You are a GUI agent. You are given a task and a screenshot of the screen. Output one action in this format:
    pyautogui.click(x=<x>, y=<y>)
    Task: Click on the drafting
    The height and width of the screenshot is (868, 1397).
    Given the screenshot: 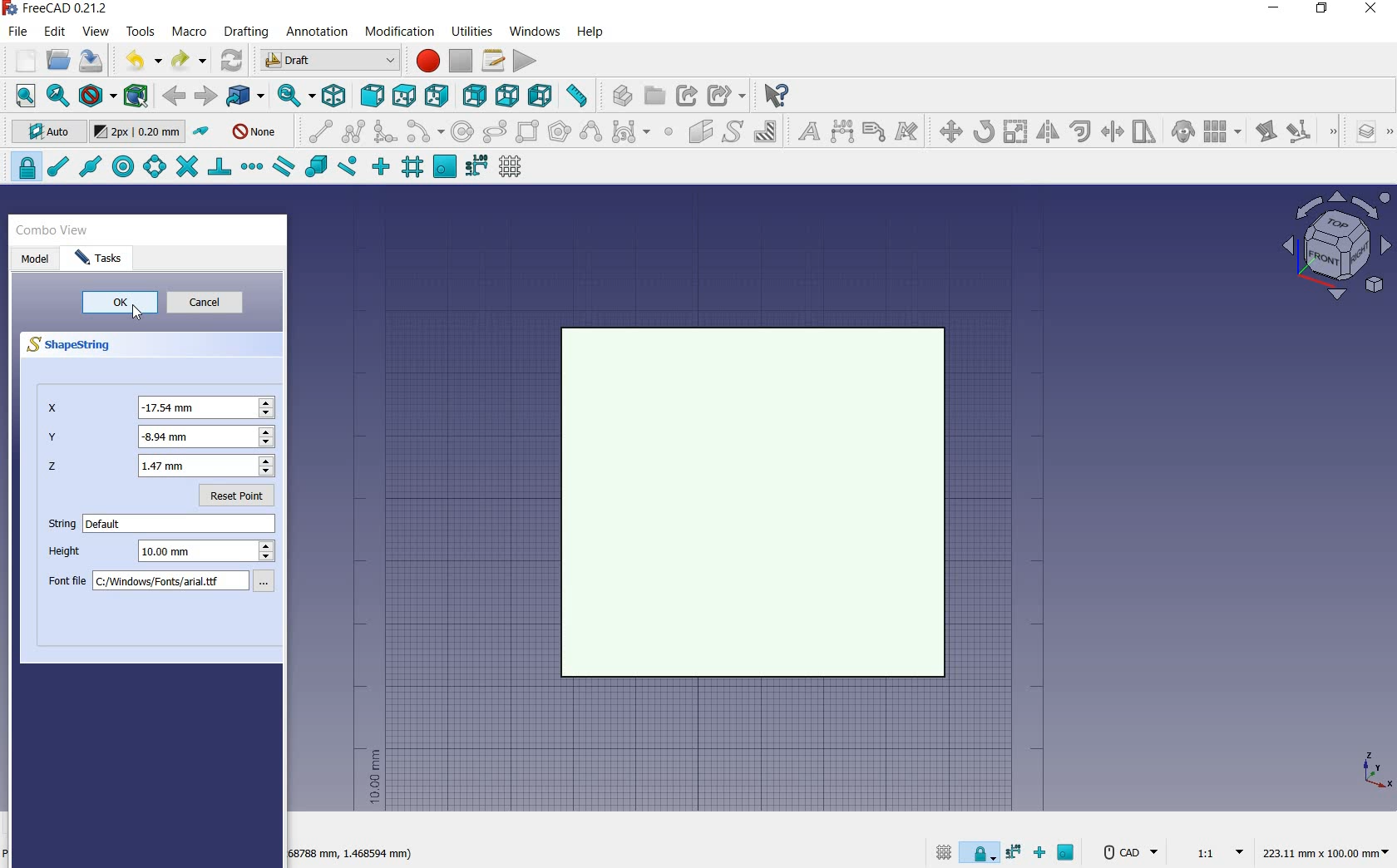 What is the action you would take?
    pyautogui.click(x=247, y=32)
    